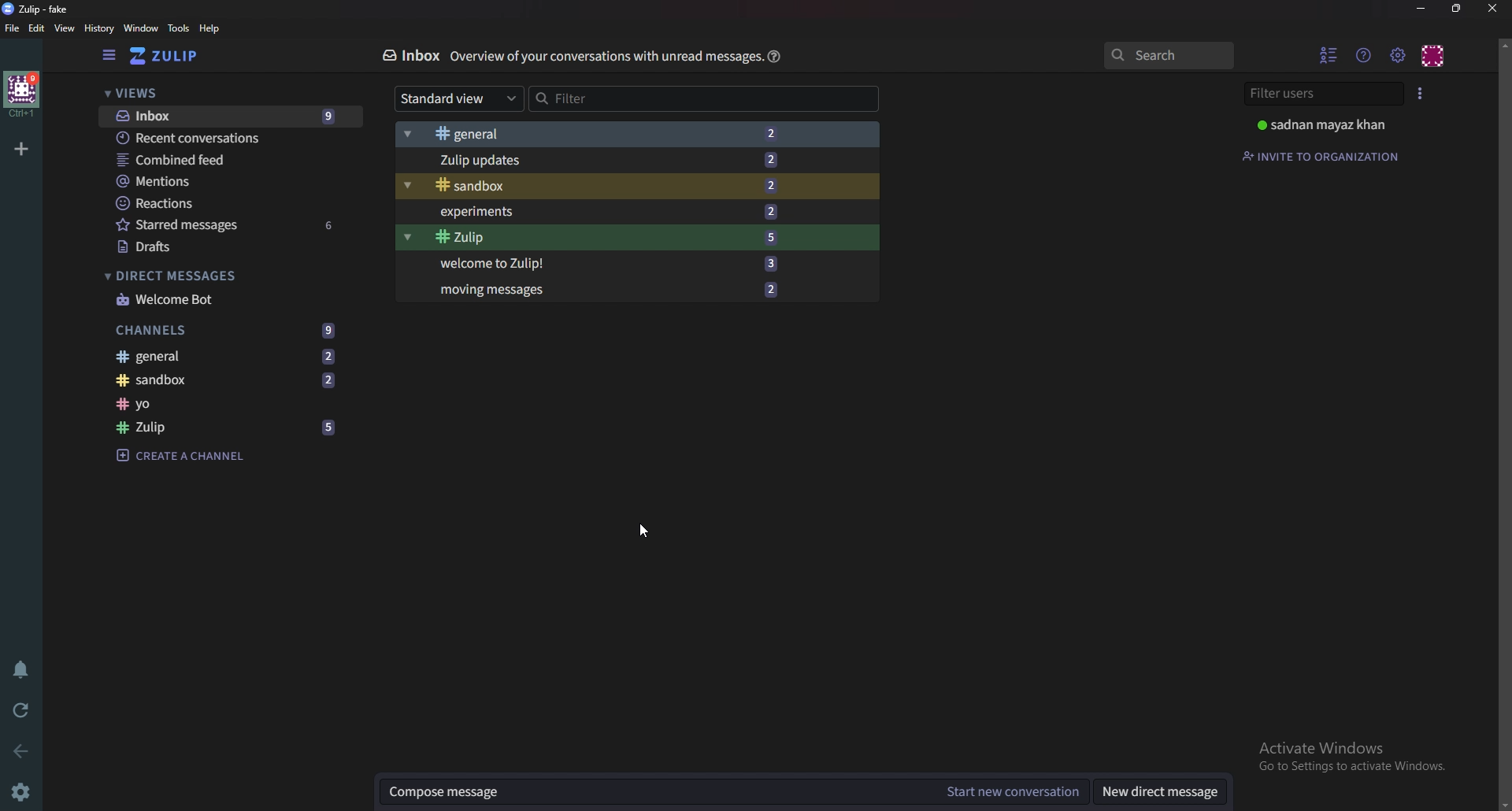  I want to click on View, so click(65, 28).